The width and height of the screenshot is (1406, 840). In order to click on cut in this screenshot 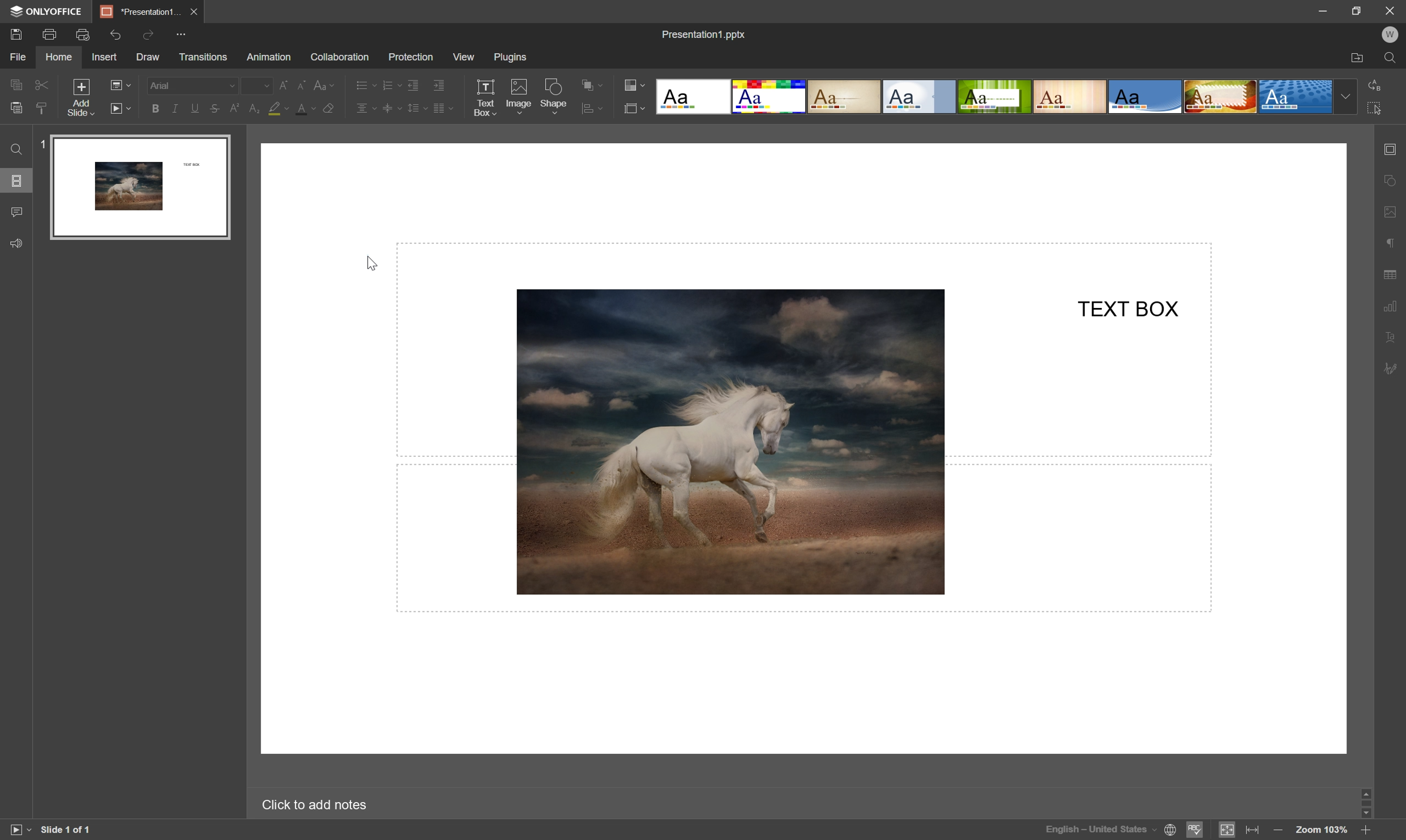, I will do `click(43, 84)`.